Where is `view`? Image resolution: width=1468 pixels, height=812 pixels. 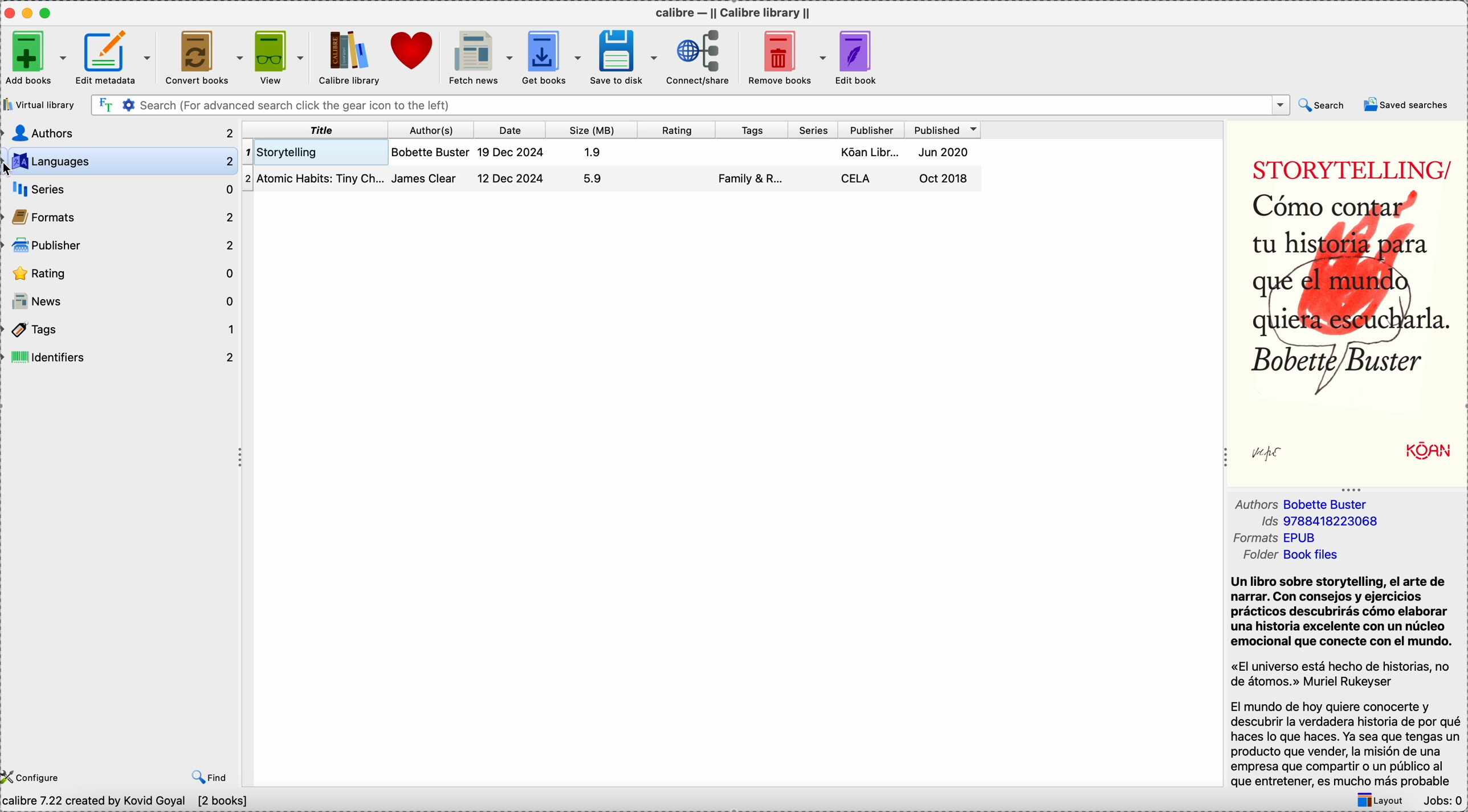 view is located at coordinates (278, 58).